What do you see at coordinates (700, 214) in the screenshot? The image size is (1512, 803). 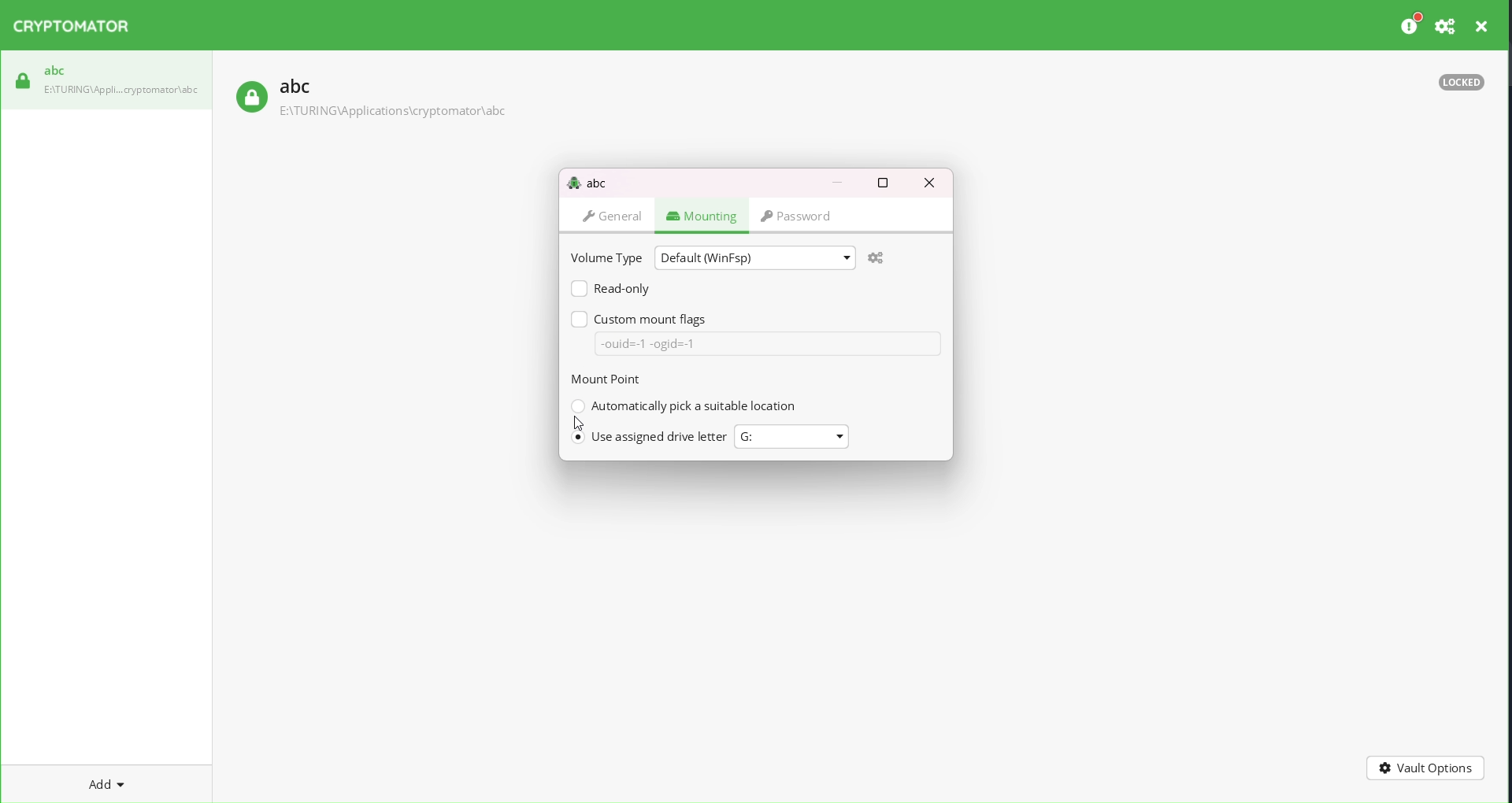 I see `mounting` at bounding box center [700, 214].